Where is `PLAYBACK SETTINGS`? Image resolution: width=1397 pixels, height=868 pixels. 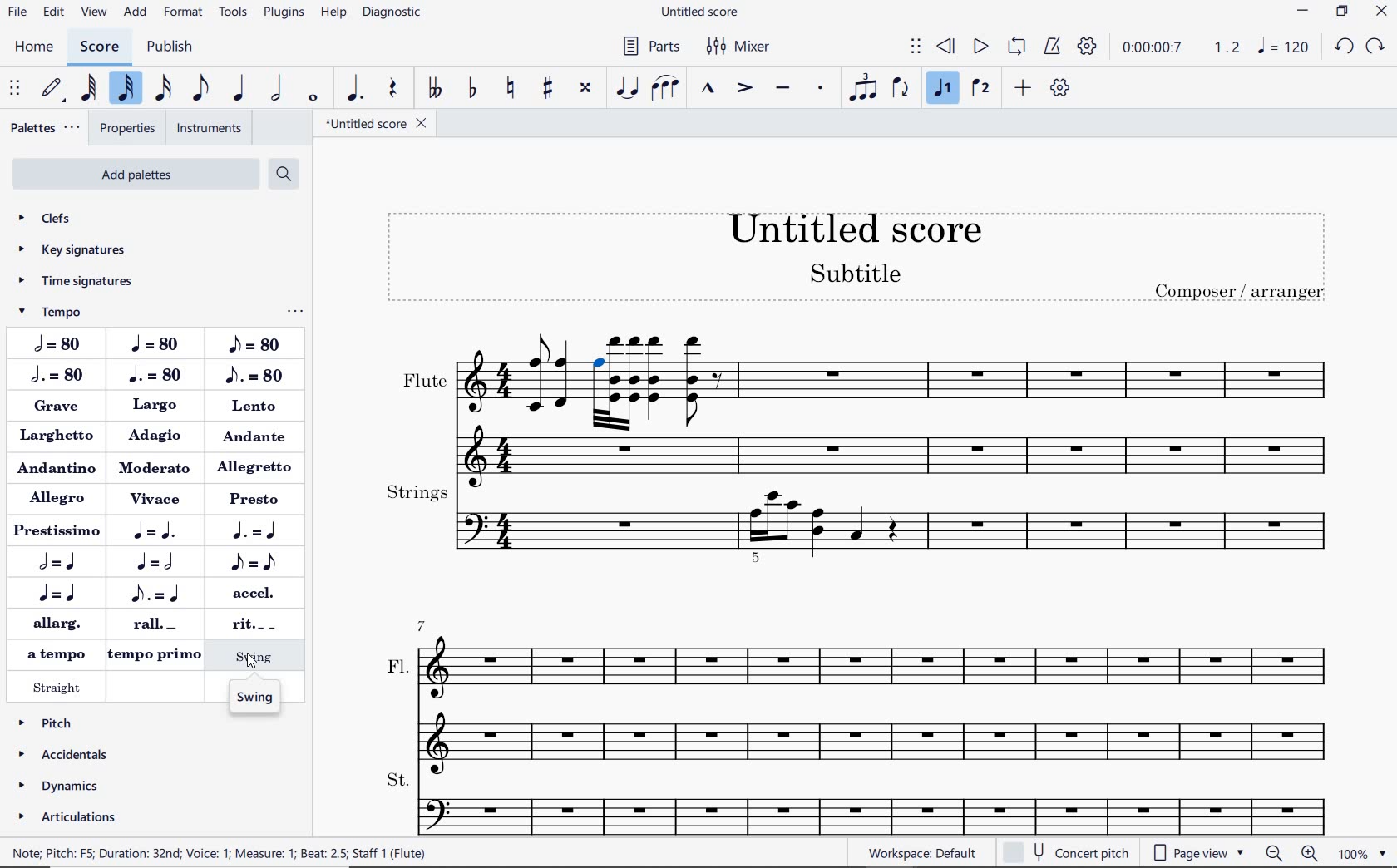
PLAYBACK SETTINGS is located at coordinates (1088, 47).